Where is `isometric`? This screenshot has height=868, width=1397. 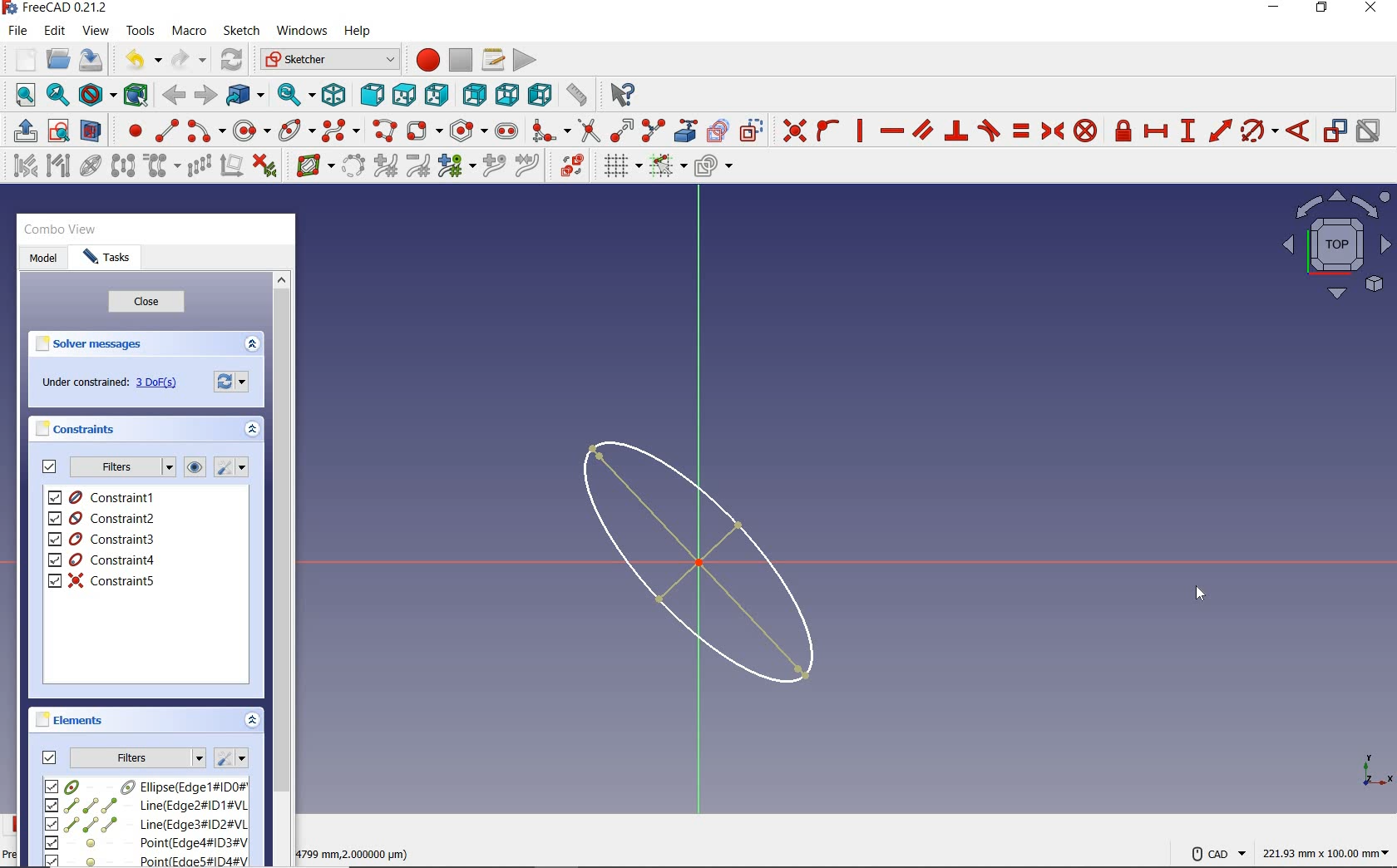
isometric is located at coordinates (333, 94).